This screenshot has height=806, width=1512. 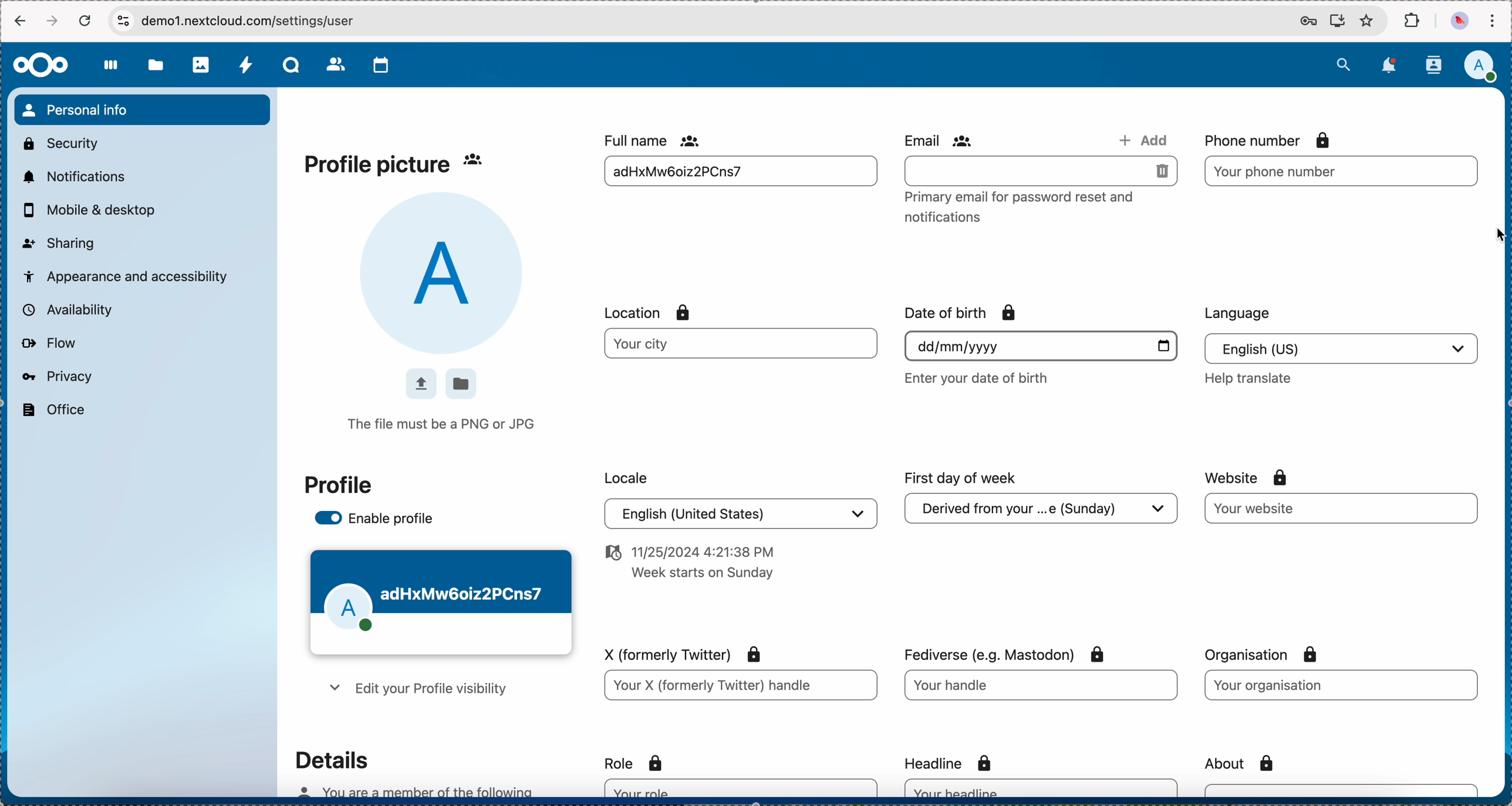 I want to click on appearance and accessibility, so click(x=127, y=275).